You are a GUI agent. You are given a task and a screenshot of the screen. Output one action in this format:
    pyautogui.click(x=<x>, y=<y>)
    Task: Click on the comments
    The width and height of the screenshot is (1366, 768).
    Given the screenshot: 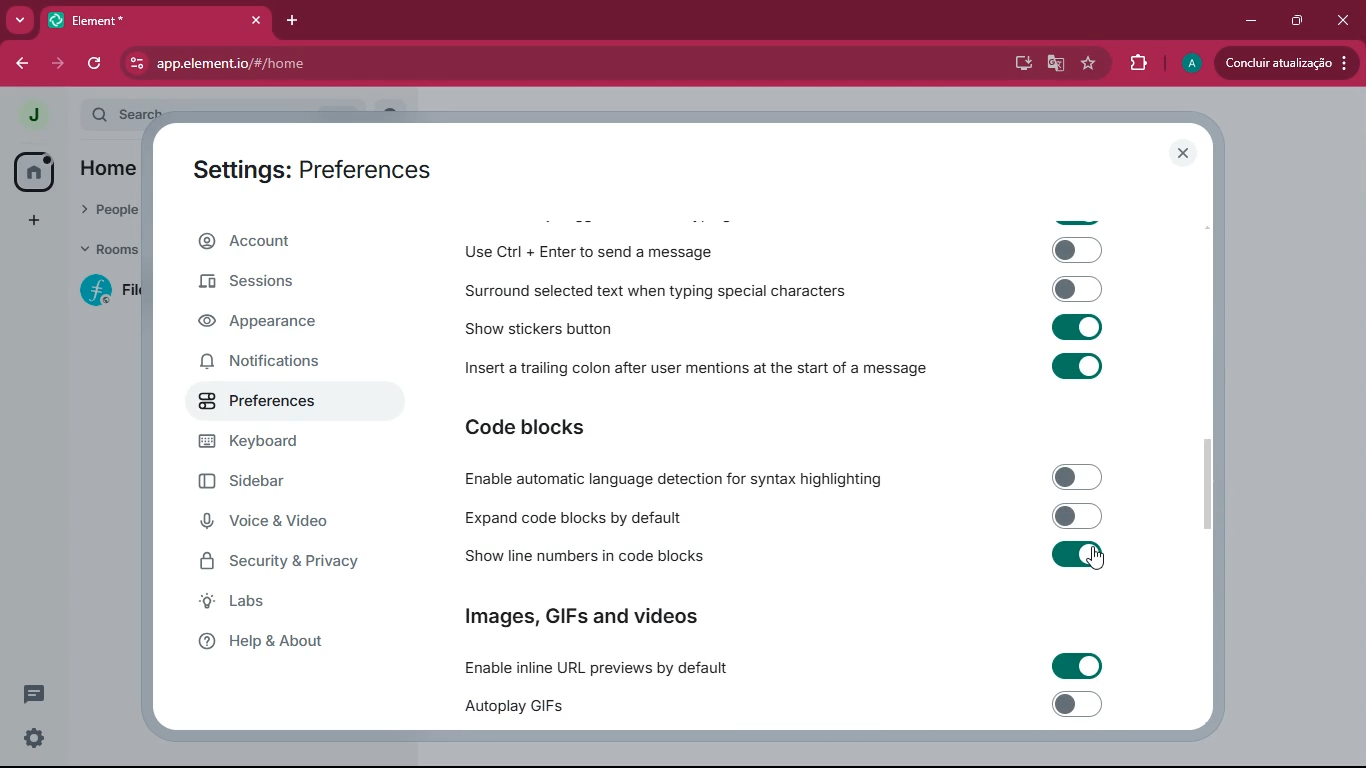 What is the action you would take?
    pyautogui.click(x=34, y=693)
    